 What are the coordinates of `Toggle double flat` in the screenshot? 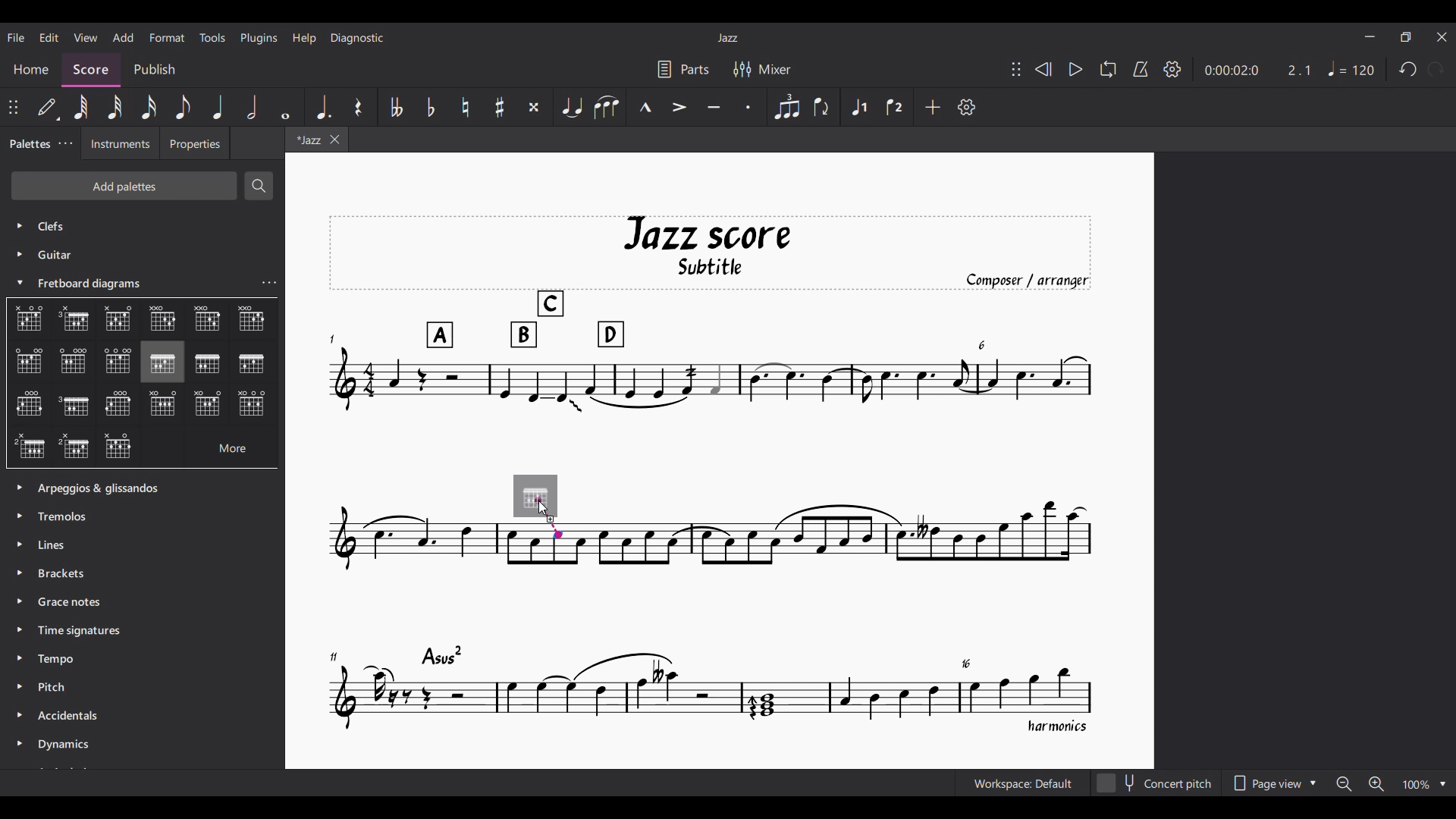 It's located at (395, 107).